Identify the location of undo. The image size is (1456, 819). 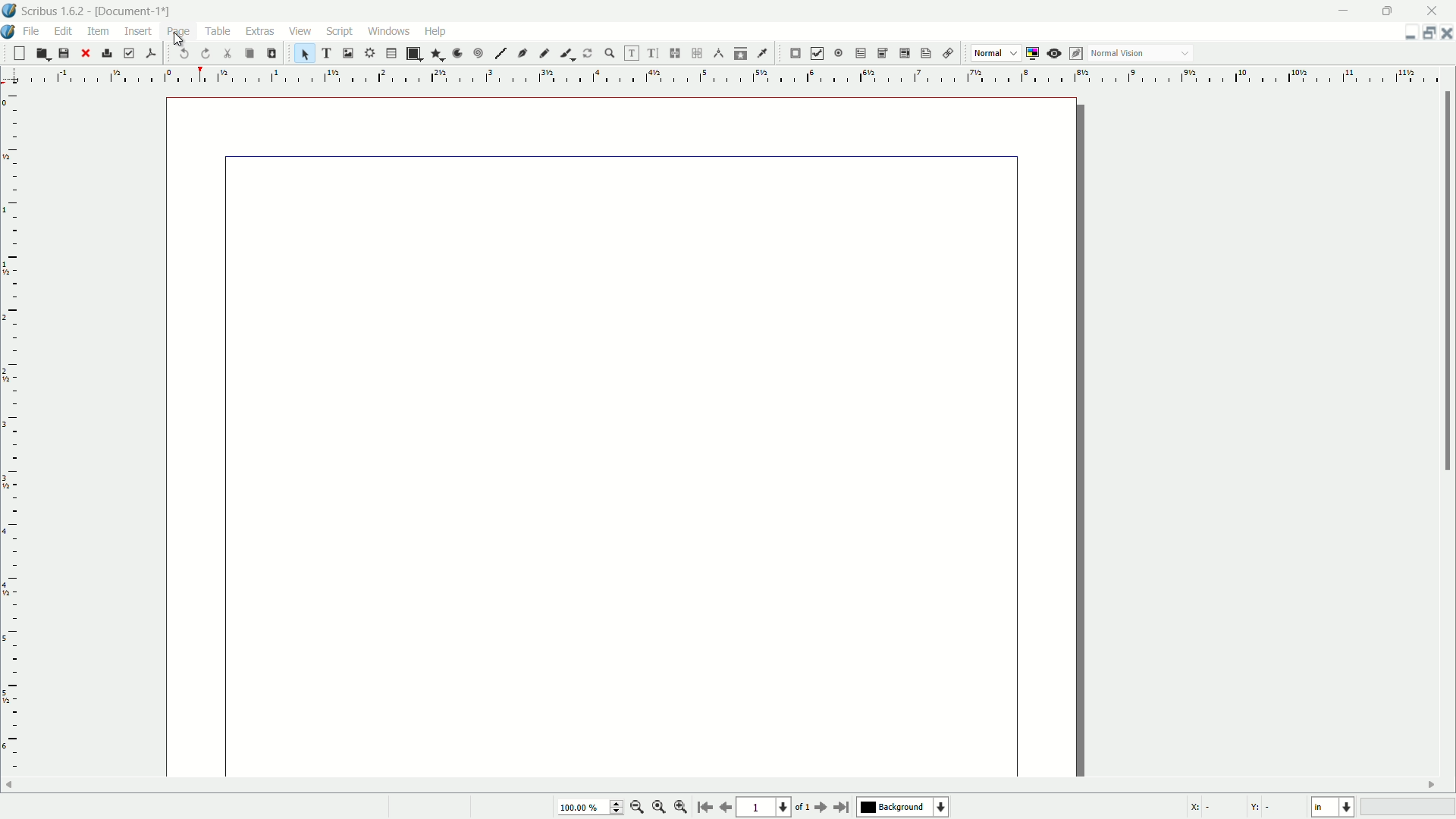
(185, 54).